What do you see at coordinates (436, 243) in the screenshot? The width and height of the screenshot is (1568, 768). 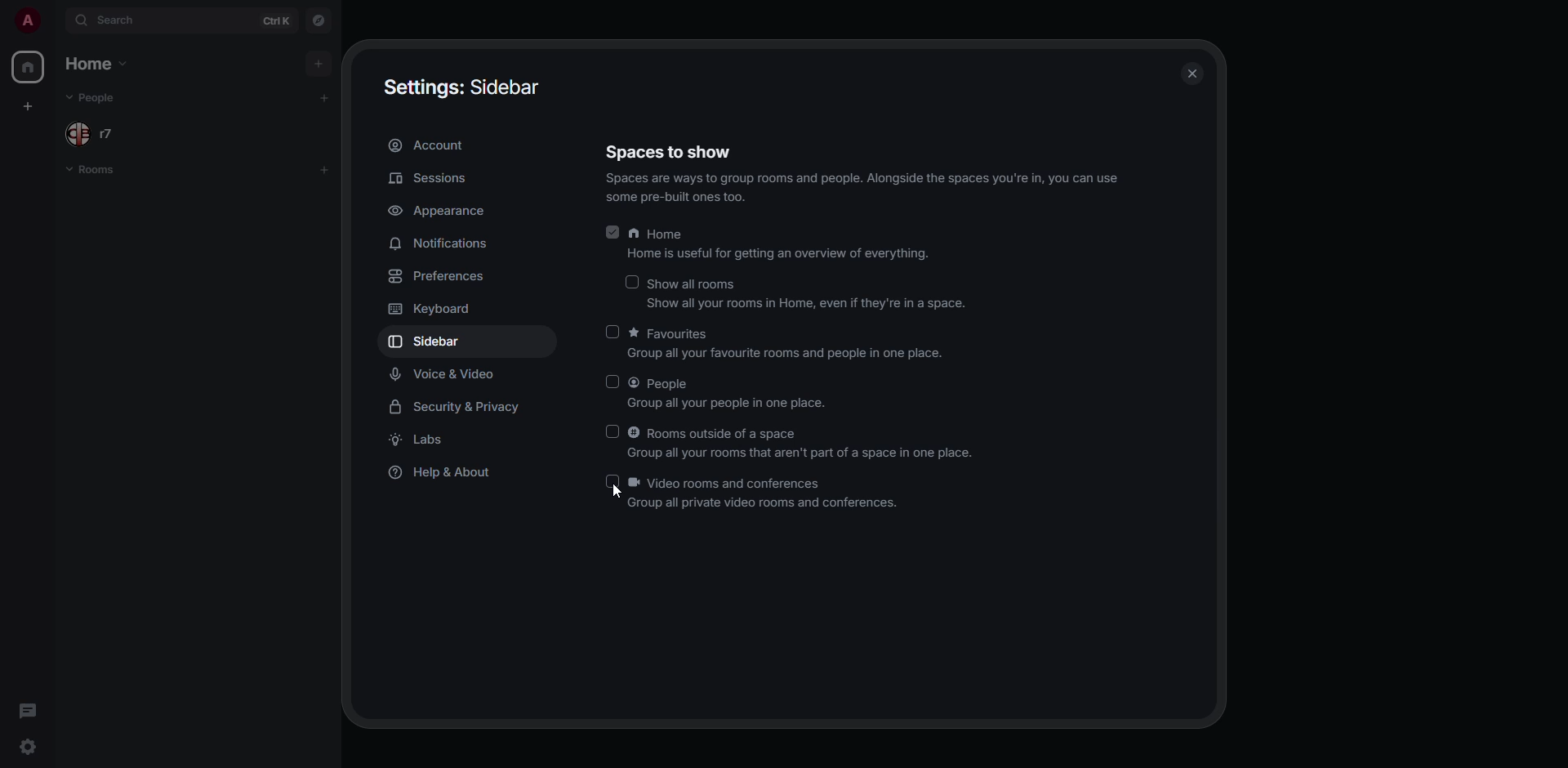 I see `notifications` at bounding box center [436, 243].